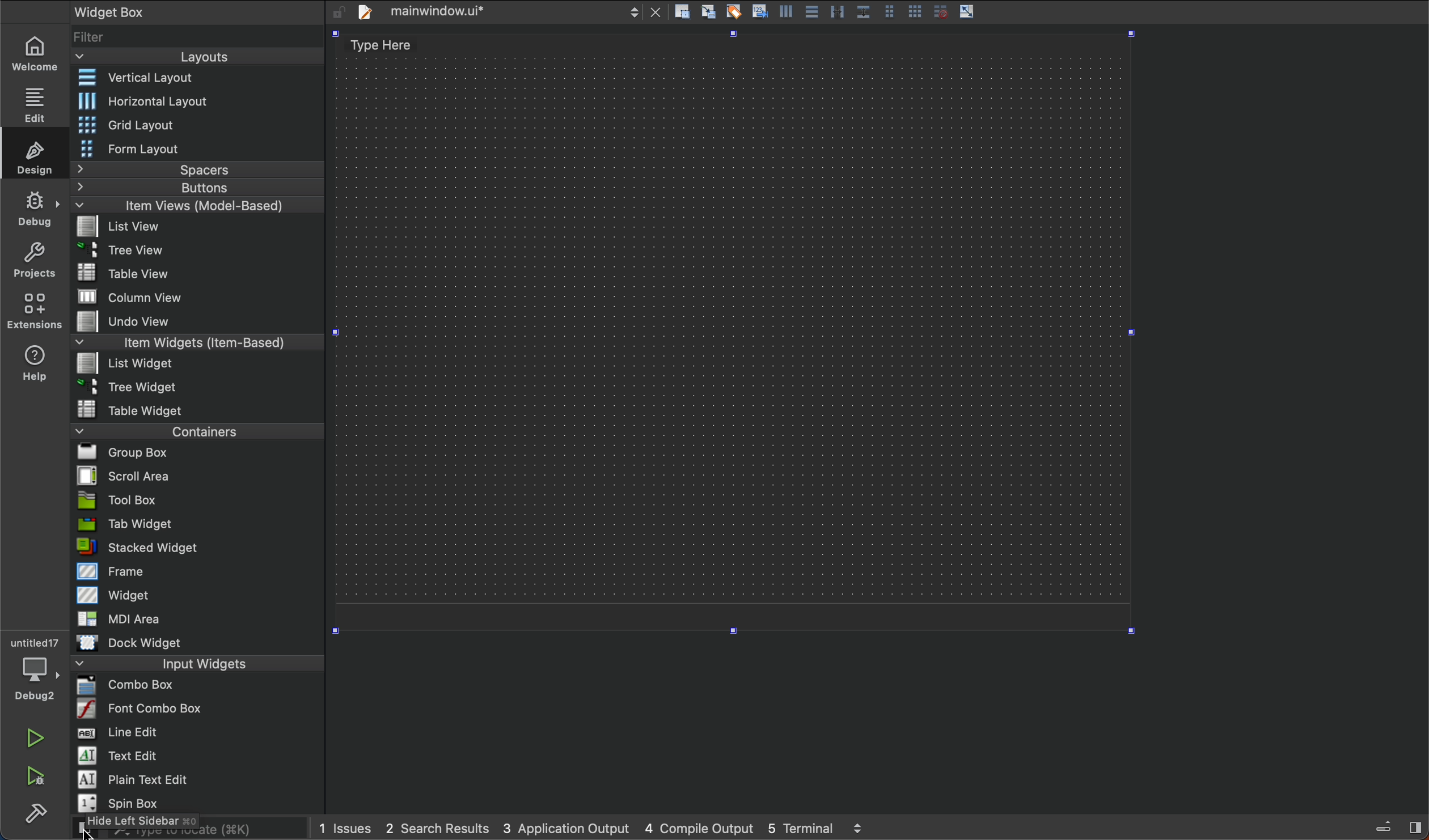  What do you see at coordinates (438, 828) in the screenshot?
I see `2 Search Results` at bounding box center [438, 828].